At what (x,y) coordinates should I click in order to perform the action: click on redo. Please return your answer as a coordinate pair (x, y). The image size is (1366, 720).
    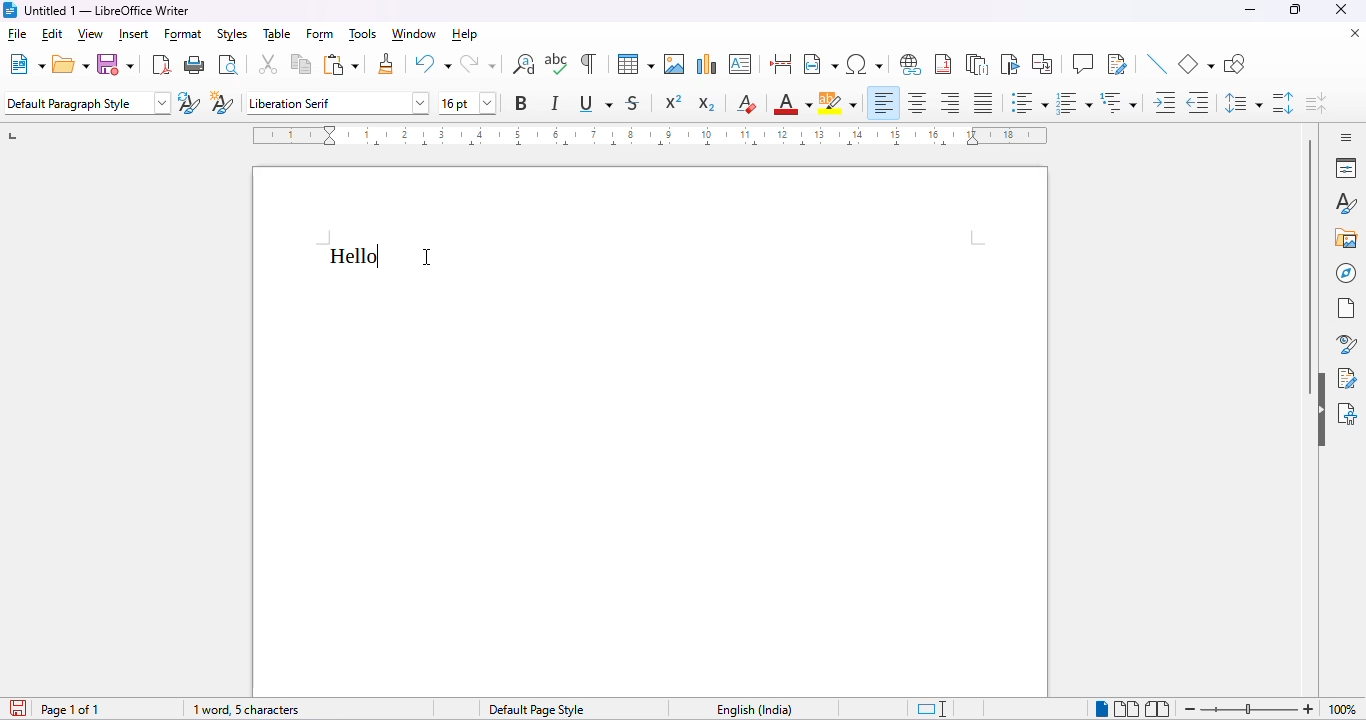
    Looking at the image, I should click on (480, 64).